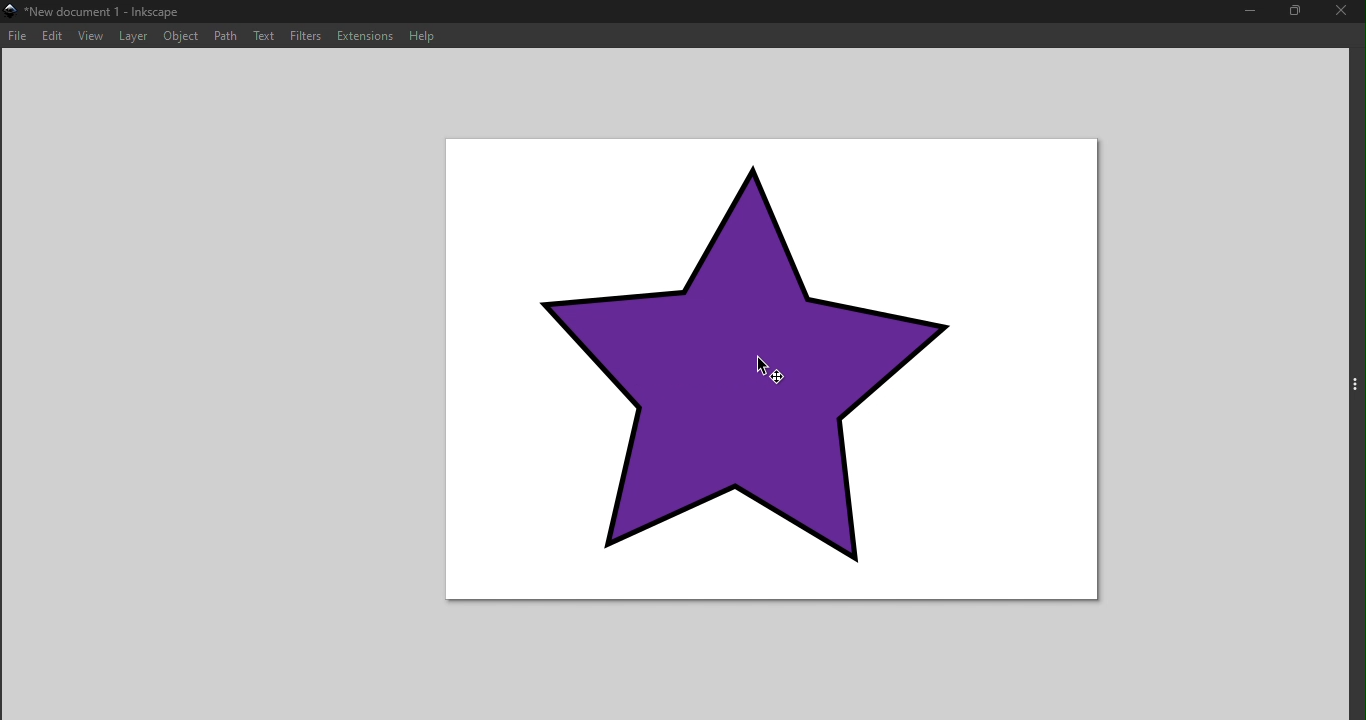 This screenshot has height=720, width=1366. Describe the element at coordinates (90, 35) in the screenshot. I see `View` at that location.